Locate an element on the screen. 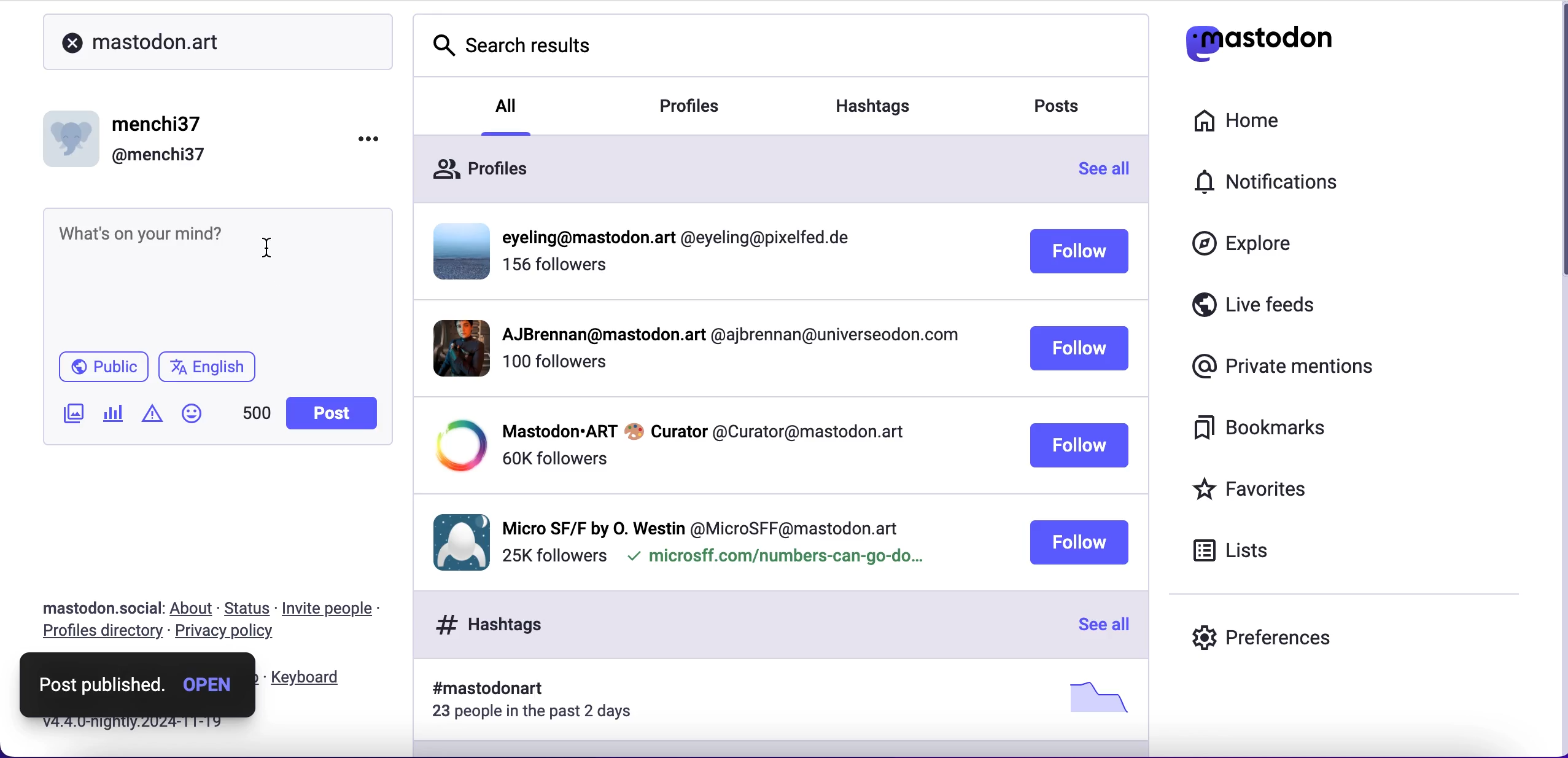  followers is located at coordinates (553, 557).